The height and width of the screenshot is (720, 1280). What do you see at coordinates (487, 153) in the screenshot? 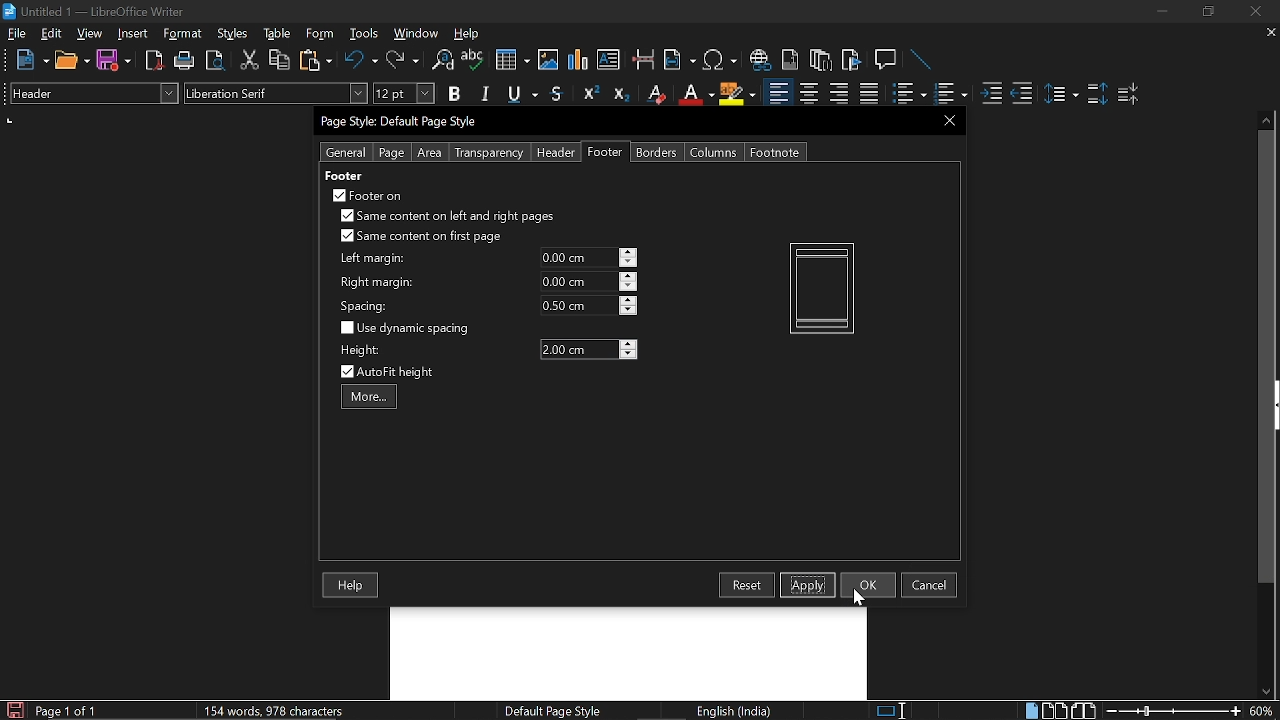
I see `Transparency` at bounding box center [487, 153].